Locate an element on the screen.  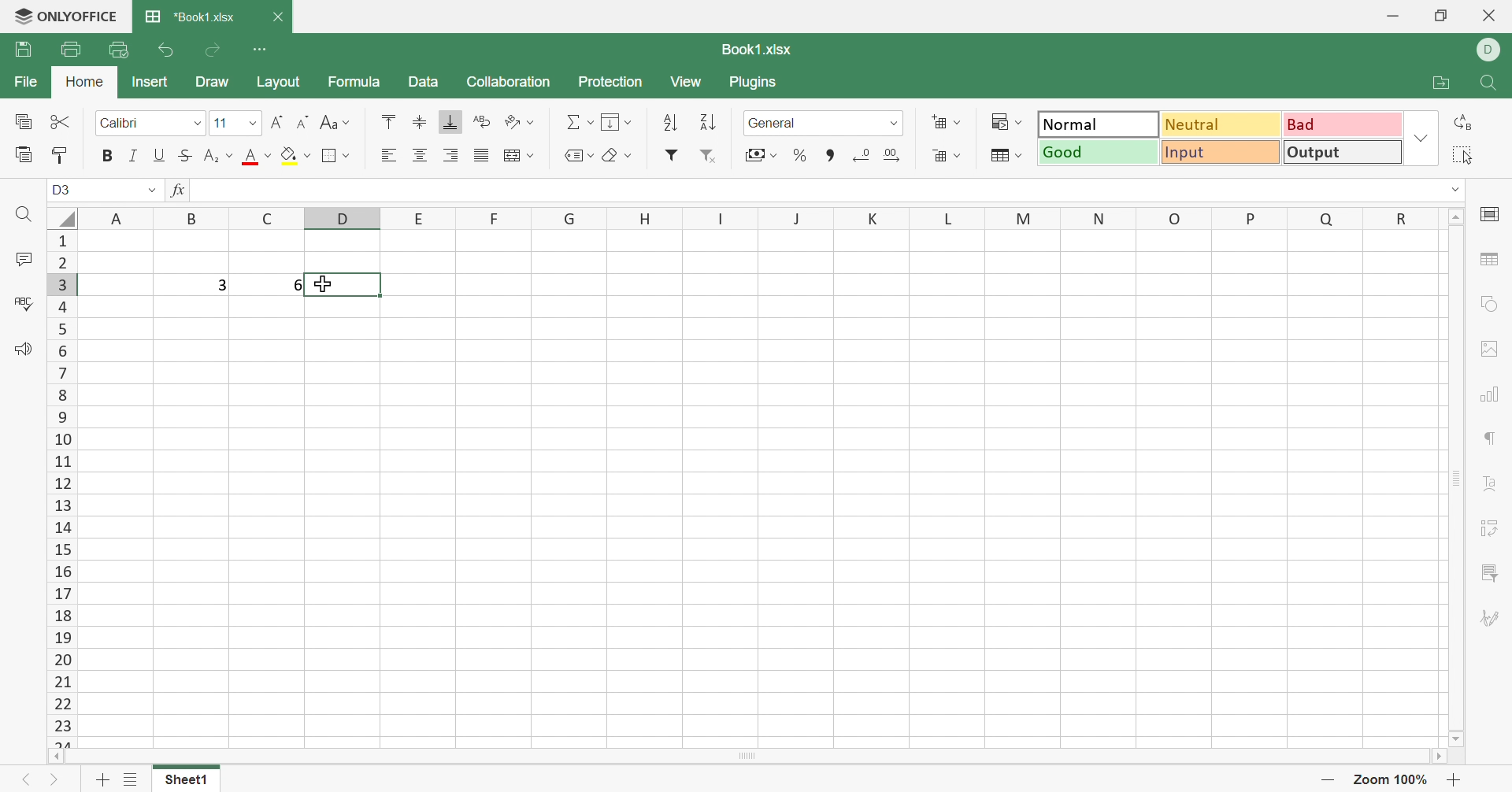
Column names is located at coordinates (756, 216).